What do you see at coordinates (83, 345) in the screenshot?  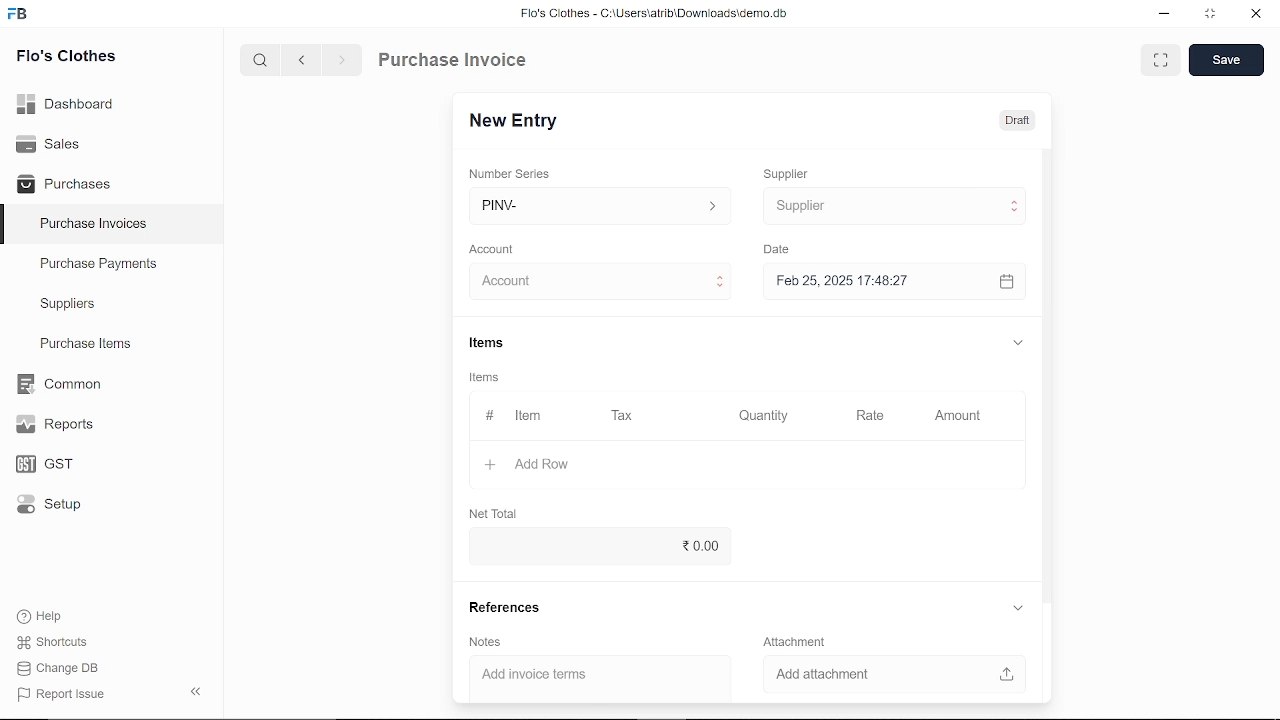 I see `Purchase ltems` at bounding box center [83, 345].